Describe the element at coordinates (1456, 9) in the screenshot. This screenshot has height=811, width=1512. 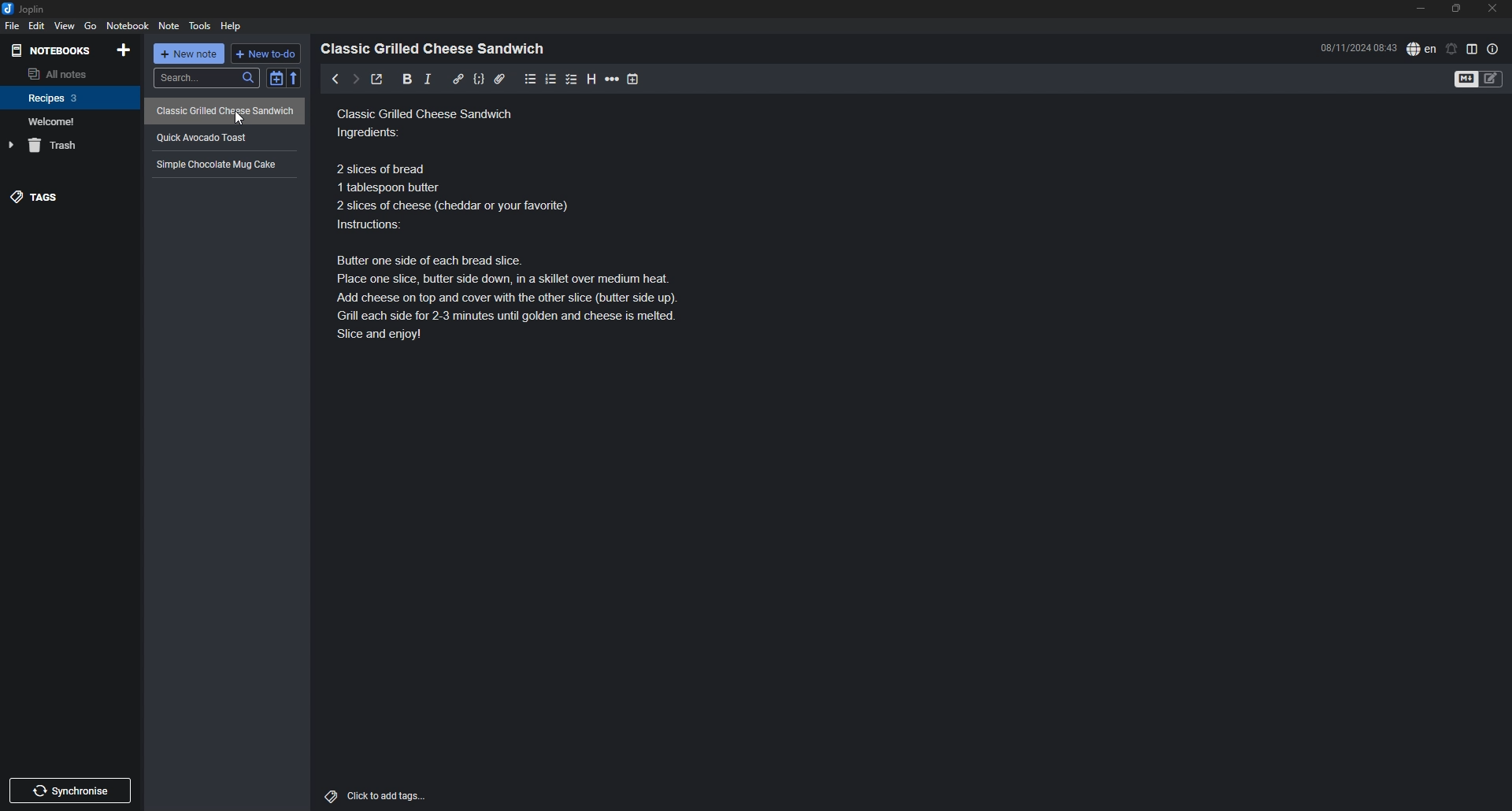
I see `resize` at that location.